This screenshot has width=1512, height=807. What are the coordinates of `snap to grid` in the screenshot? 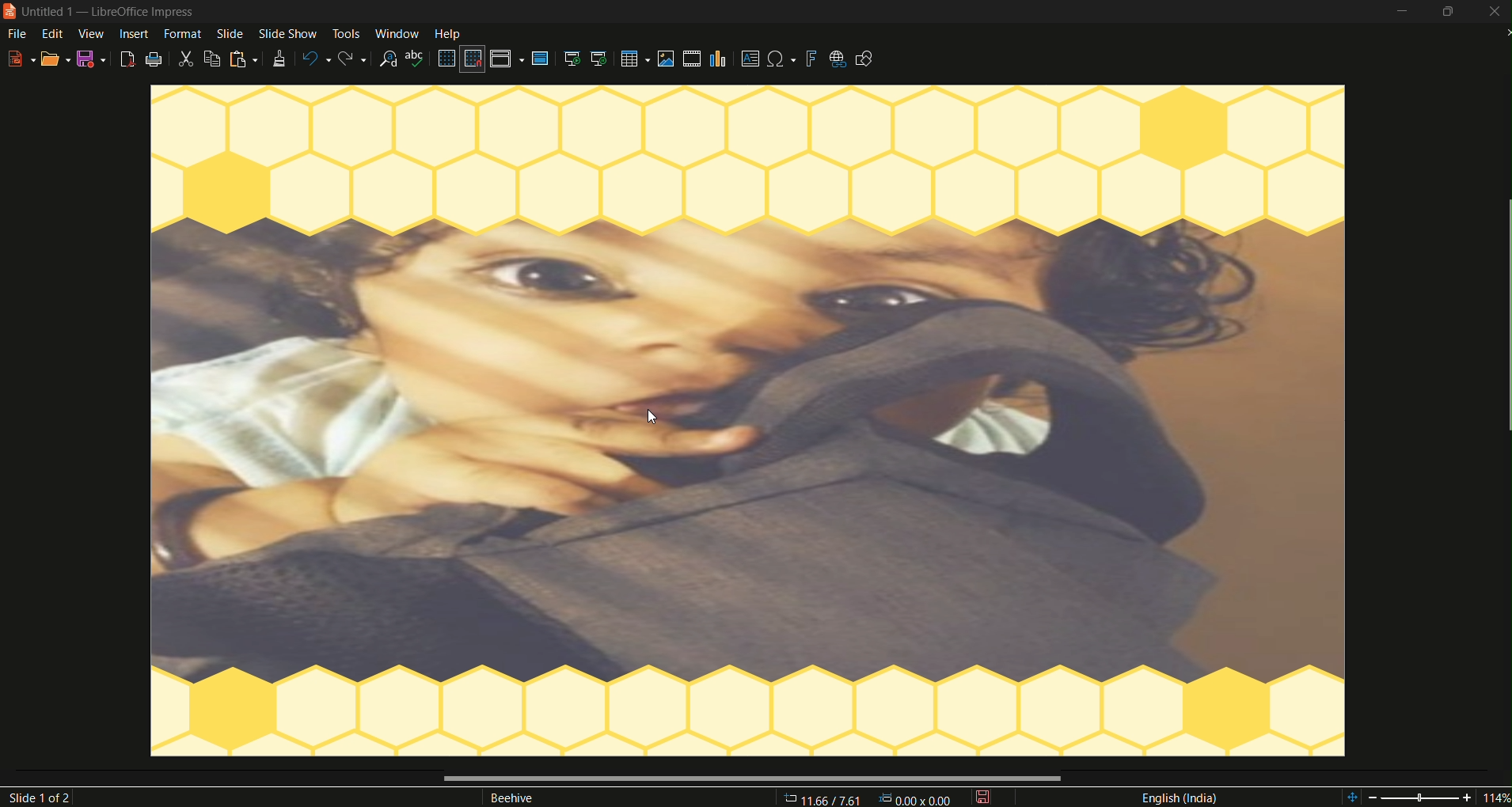 It's located at (471, 60).